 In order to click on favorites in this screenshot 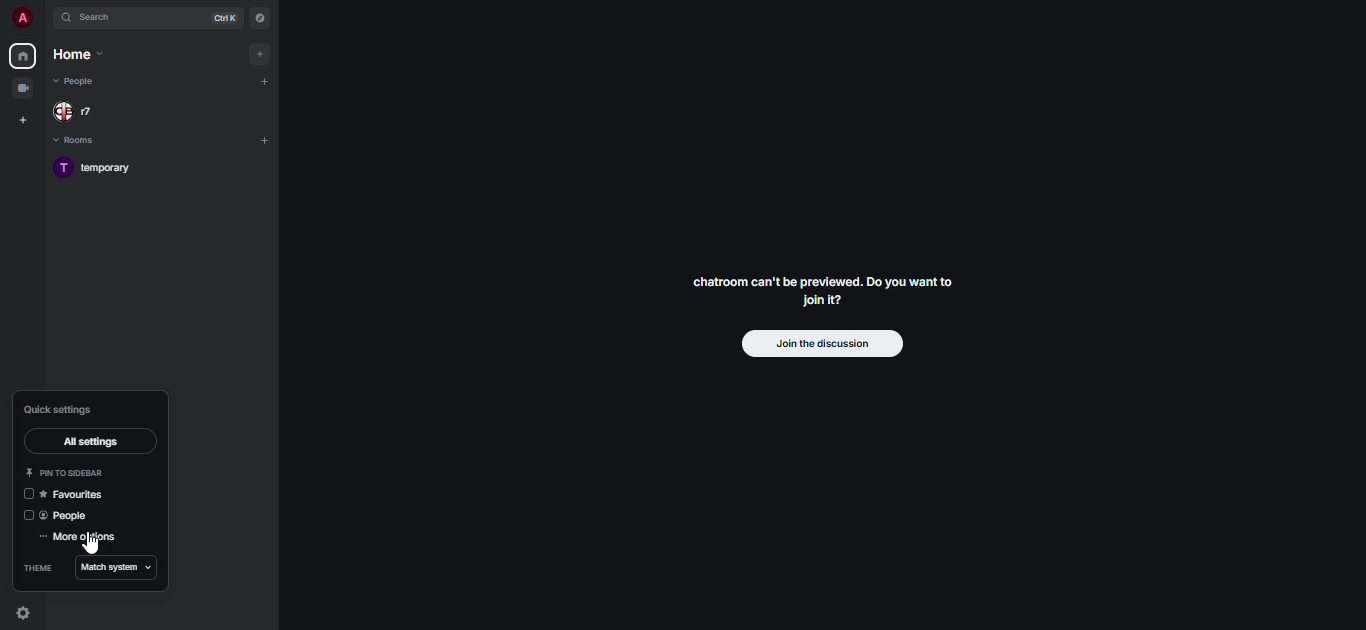, I will do `click(75, 496)`.